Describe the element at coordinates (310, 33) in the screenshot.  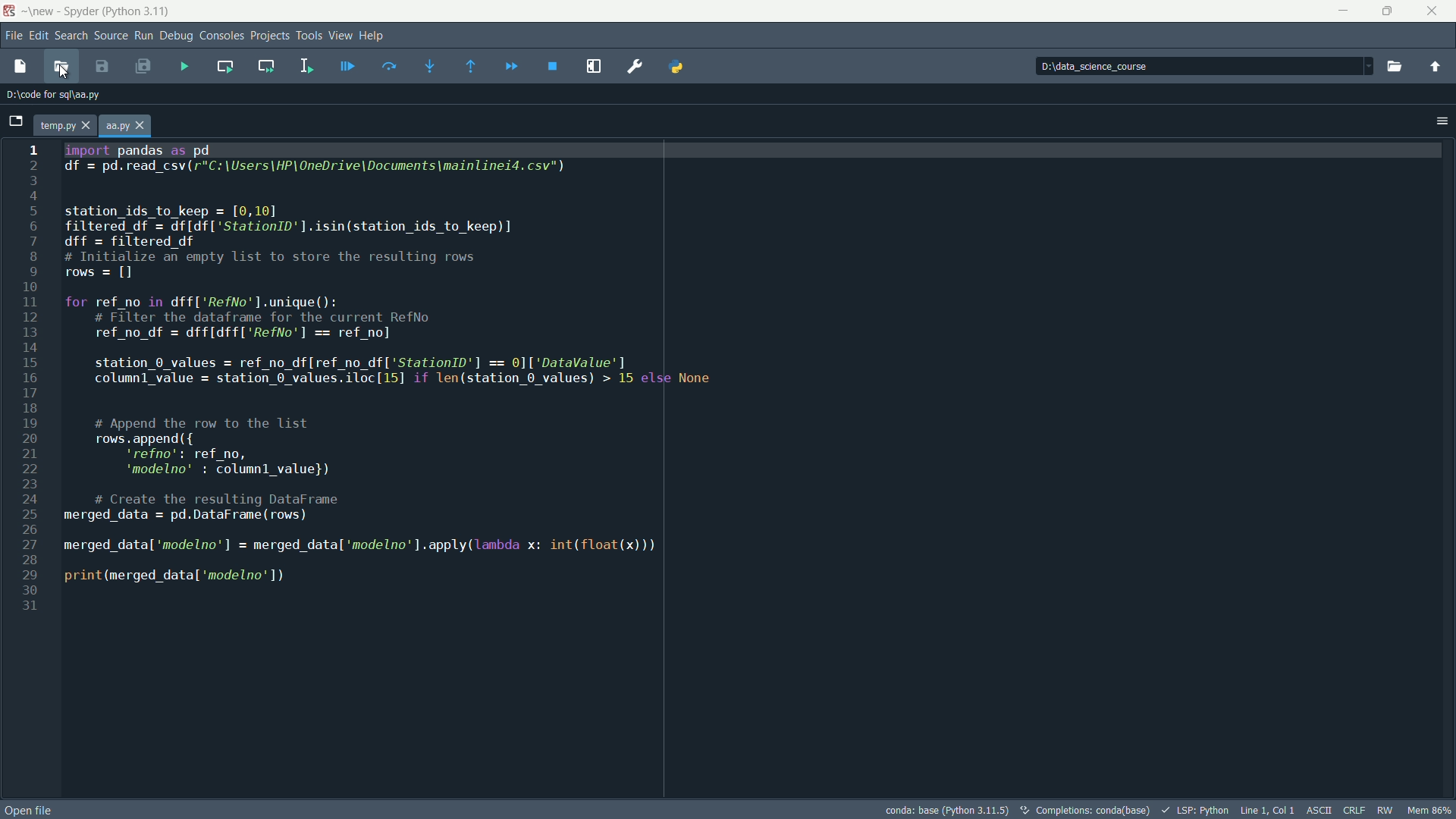
I see `Tools menu` at that location.